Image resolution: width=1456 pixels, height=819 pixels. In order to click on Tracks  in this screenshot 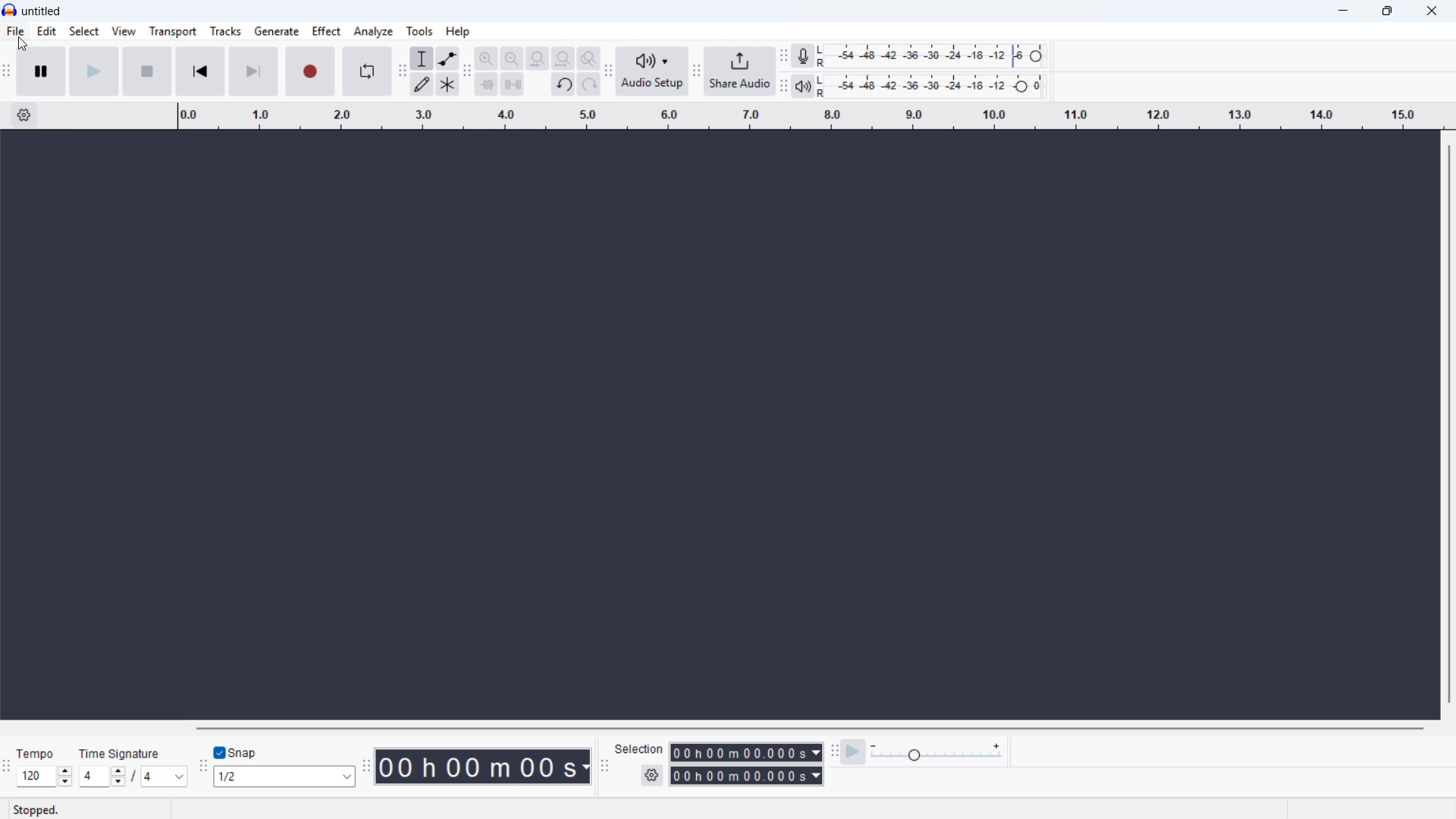, I will do `click(226, 30)`.